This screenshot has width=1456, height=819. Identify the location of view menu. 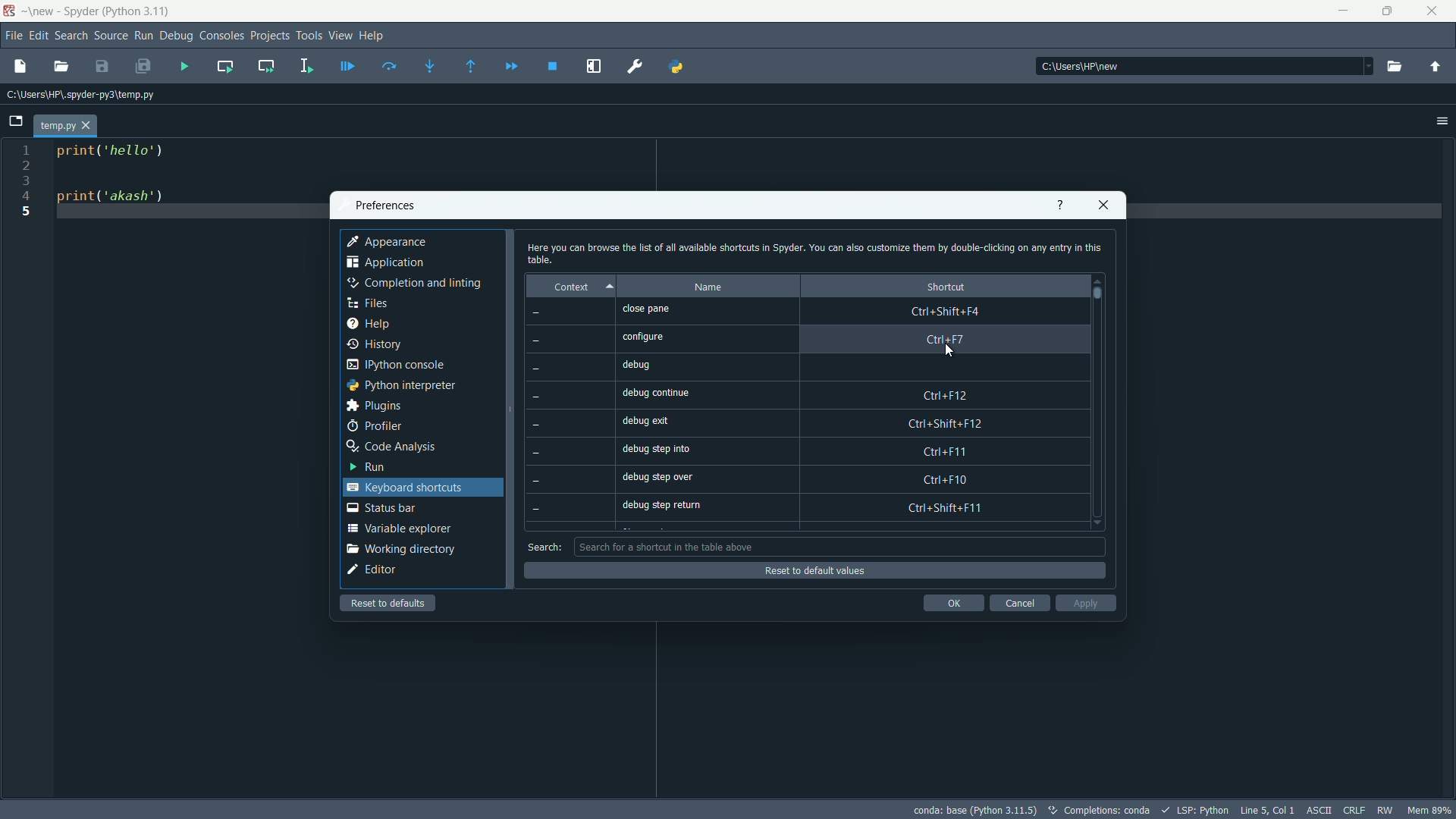
(341, 35).